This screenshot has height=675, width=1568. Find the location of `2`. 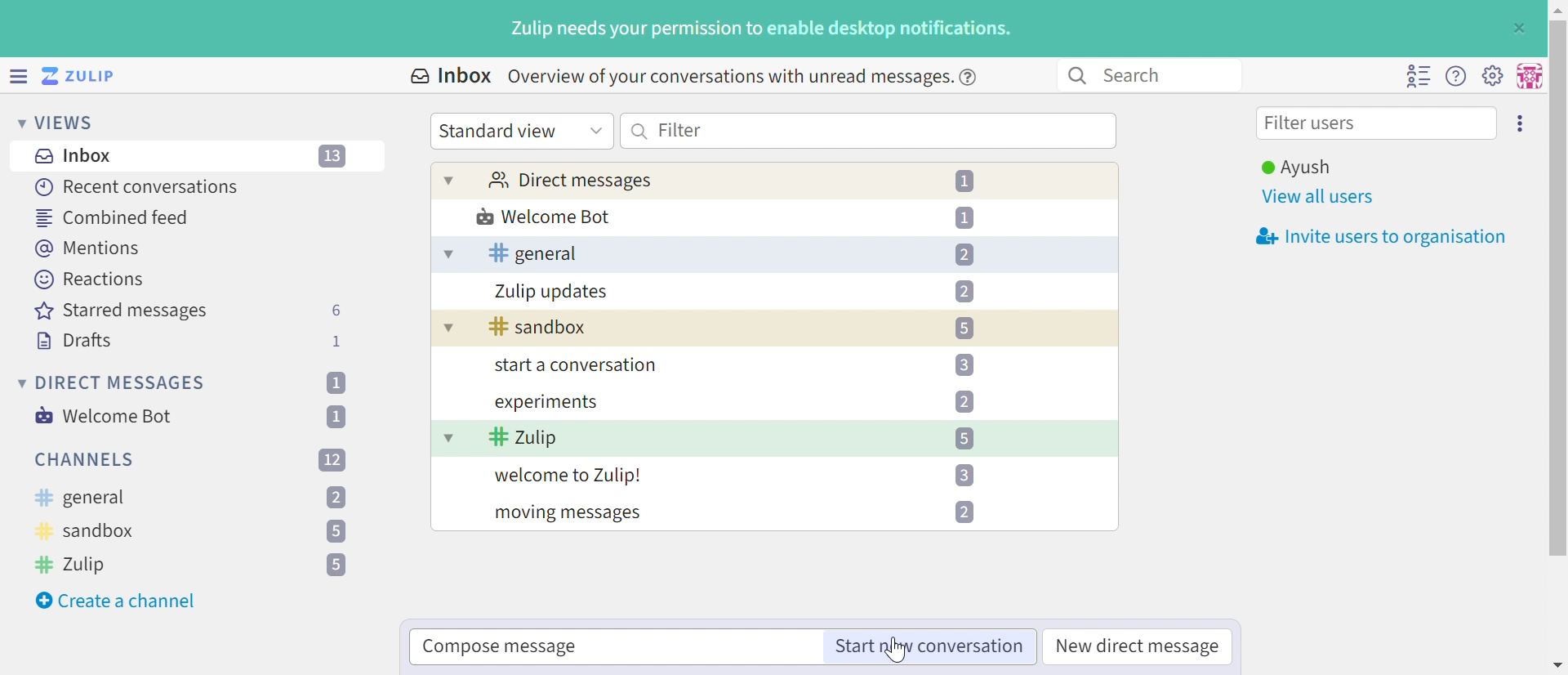

2 is located at coordinates (336, 498).